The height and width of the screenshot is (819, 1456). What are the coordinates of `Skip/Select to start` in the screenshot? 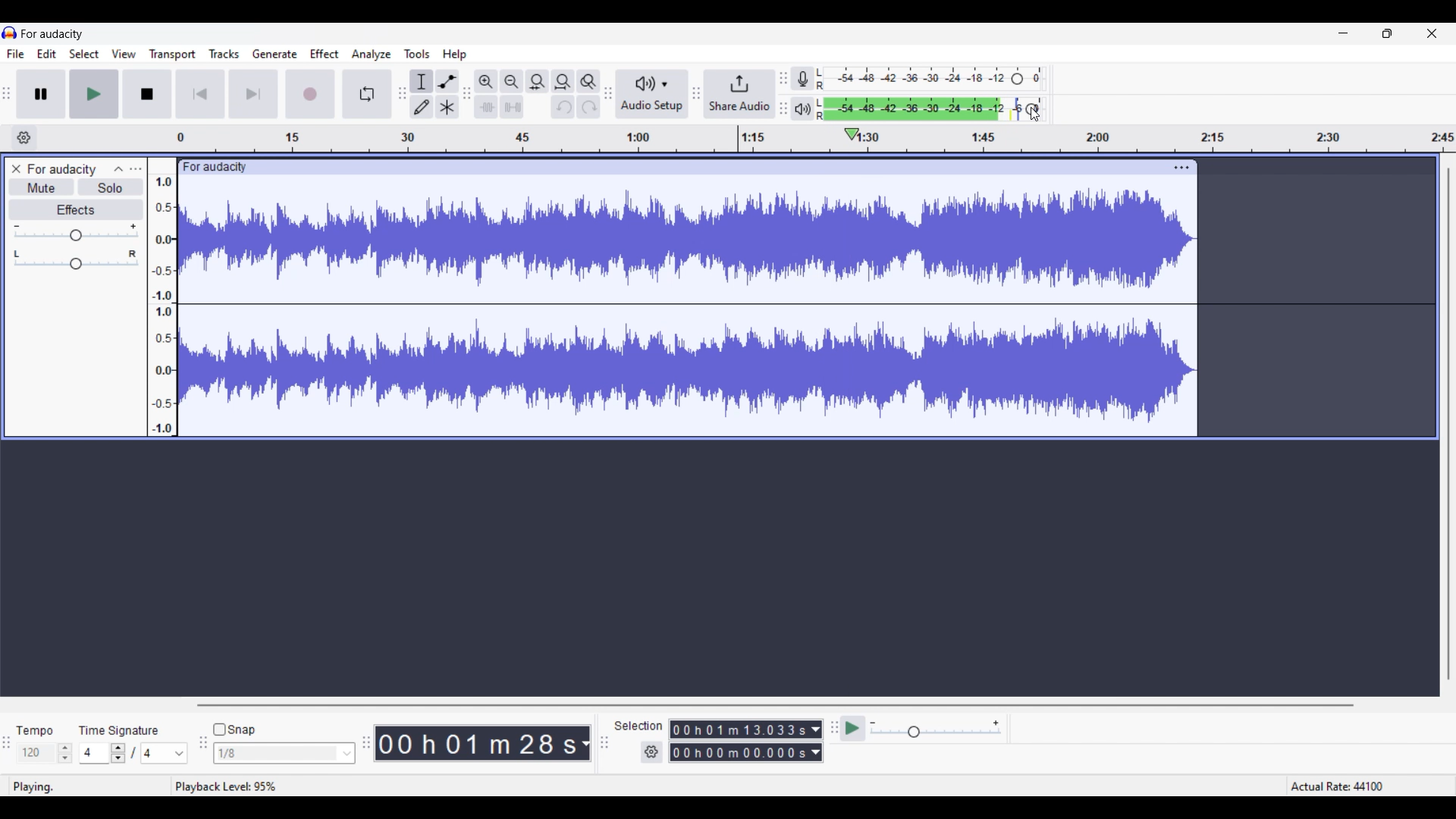 It's located at (200, 94).